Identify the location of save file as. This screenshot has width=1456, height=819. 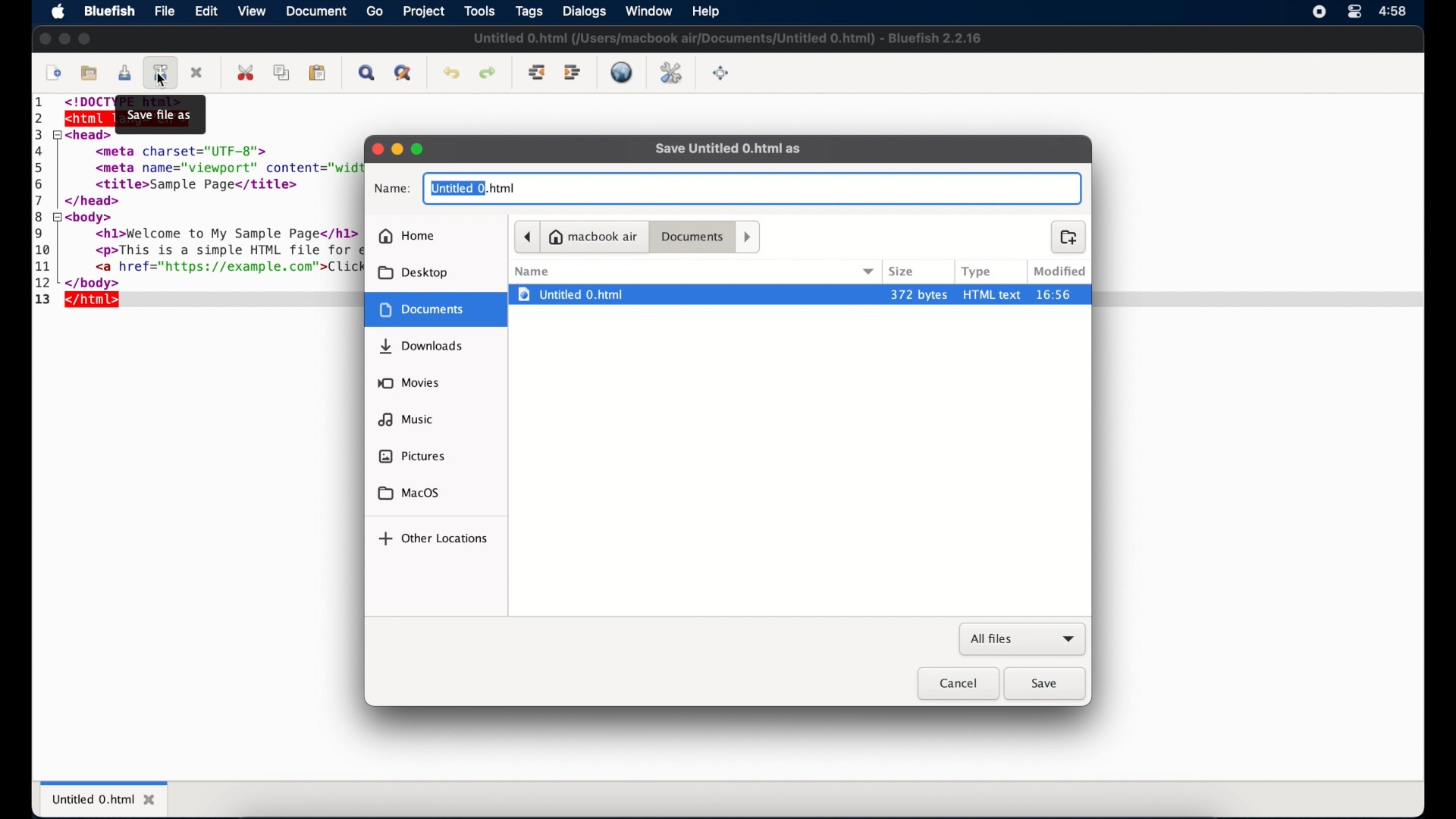
(162, 72).